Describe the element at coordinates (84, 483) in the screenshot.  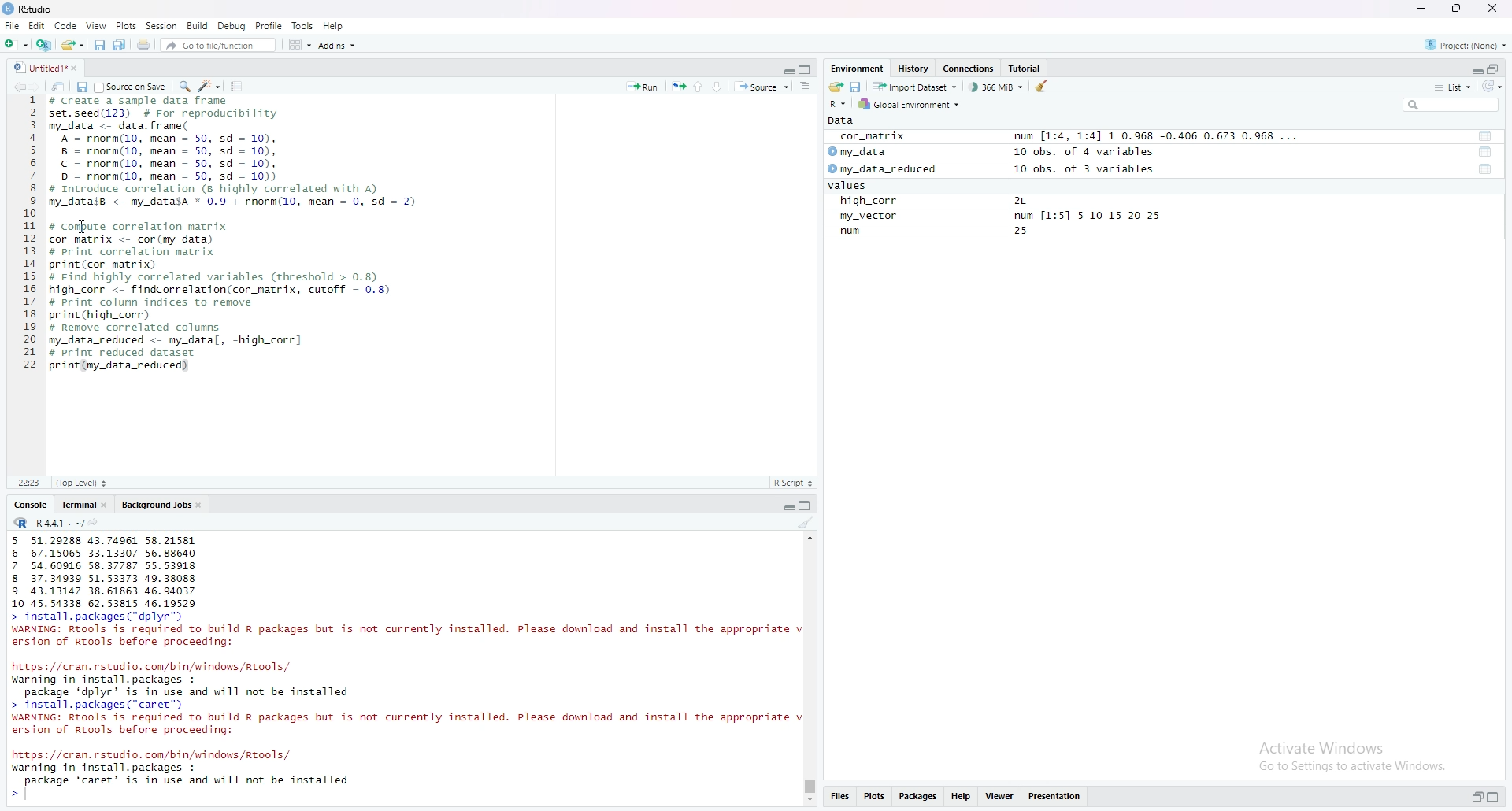
I see `(Top level)` at that location.